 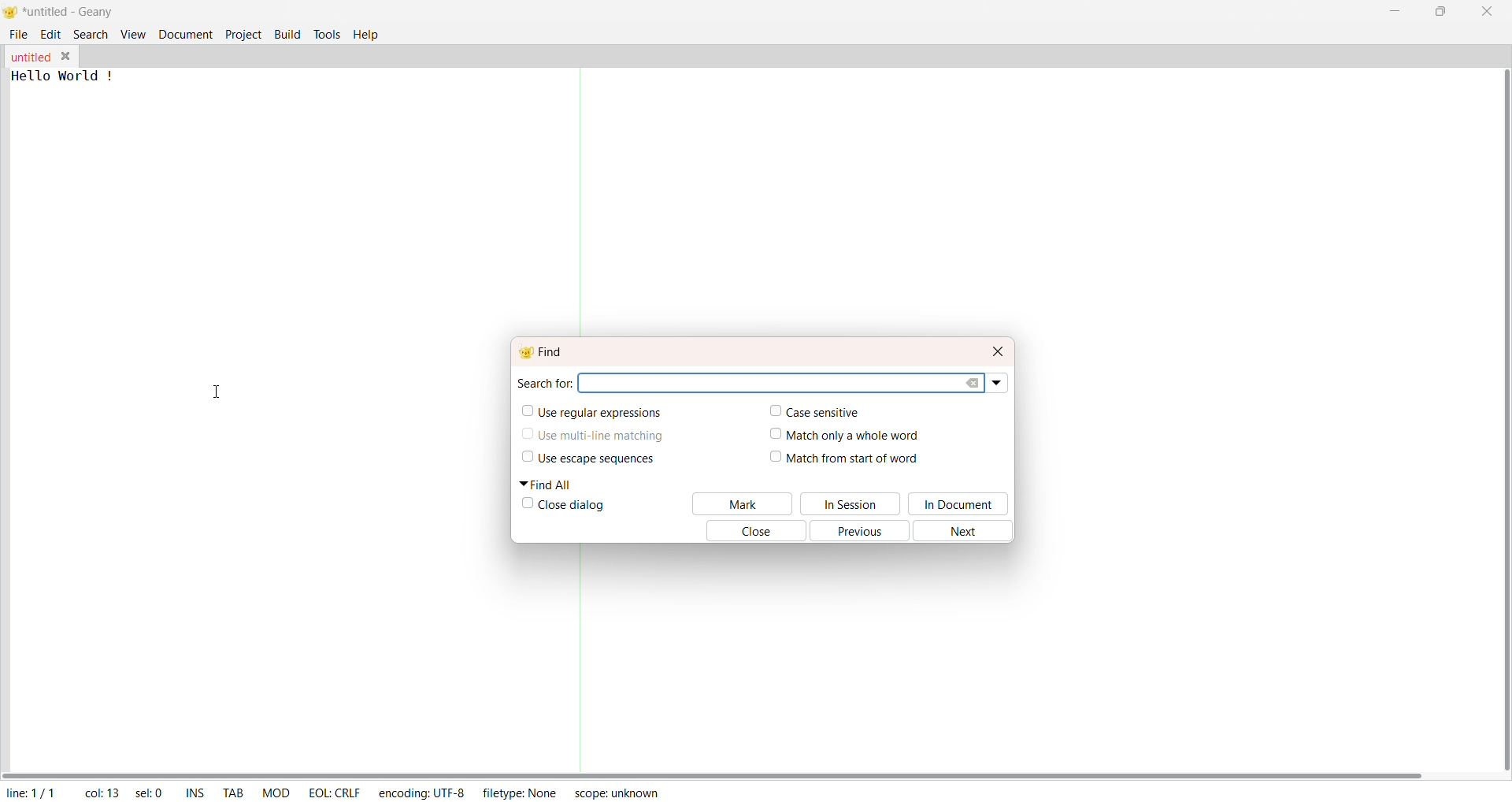 What do you see at coordinates (976, 383) in the screenshot?
I see `Clear All` at bounding box center [976, 383].